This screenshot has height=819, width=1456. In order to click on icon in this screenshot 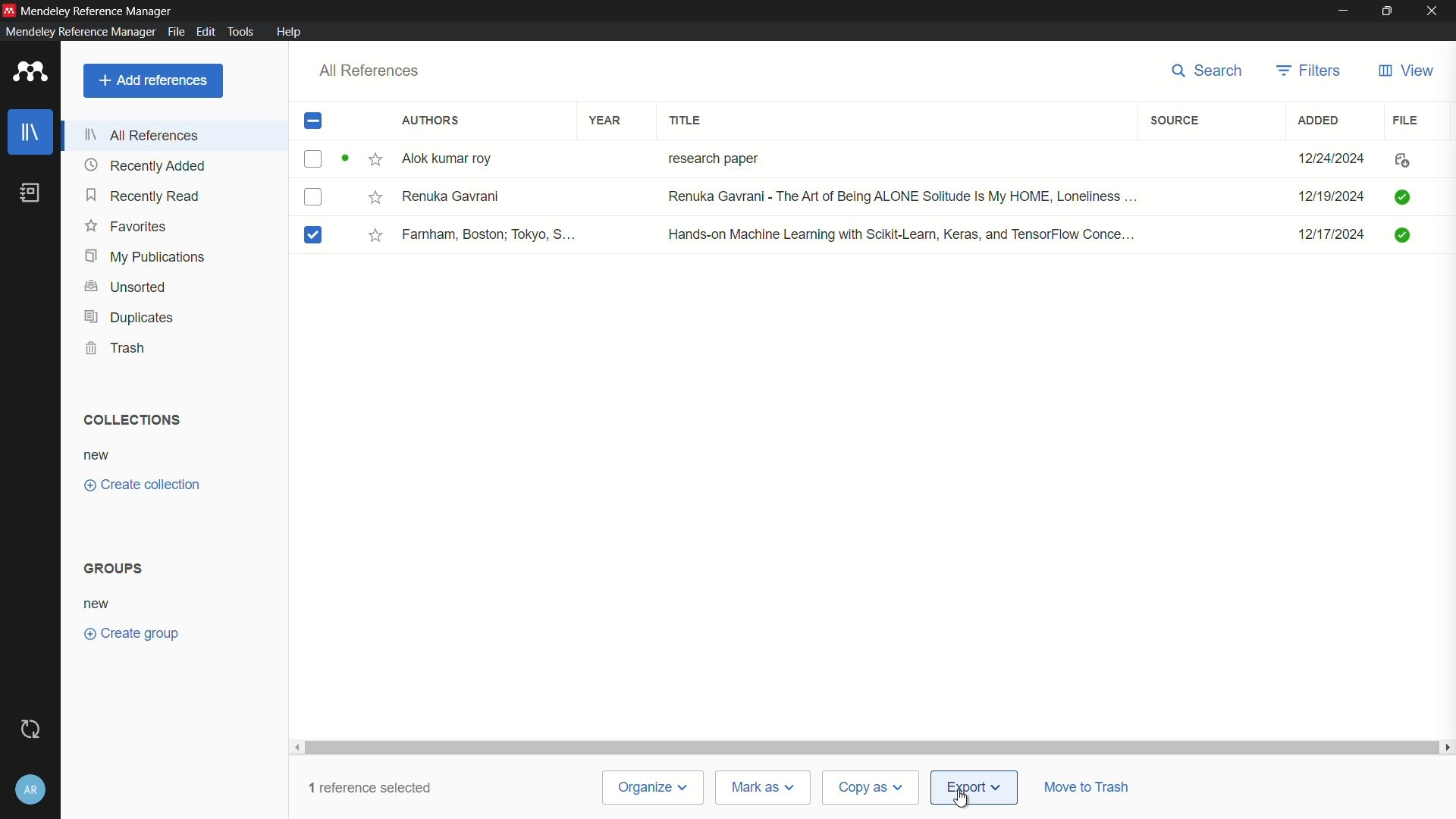, I will do `click(1401, 160)`.